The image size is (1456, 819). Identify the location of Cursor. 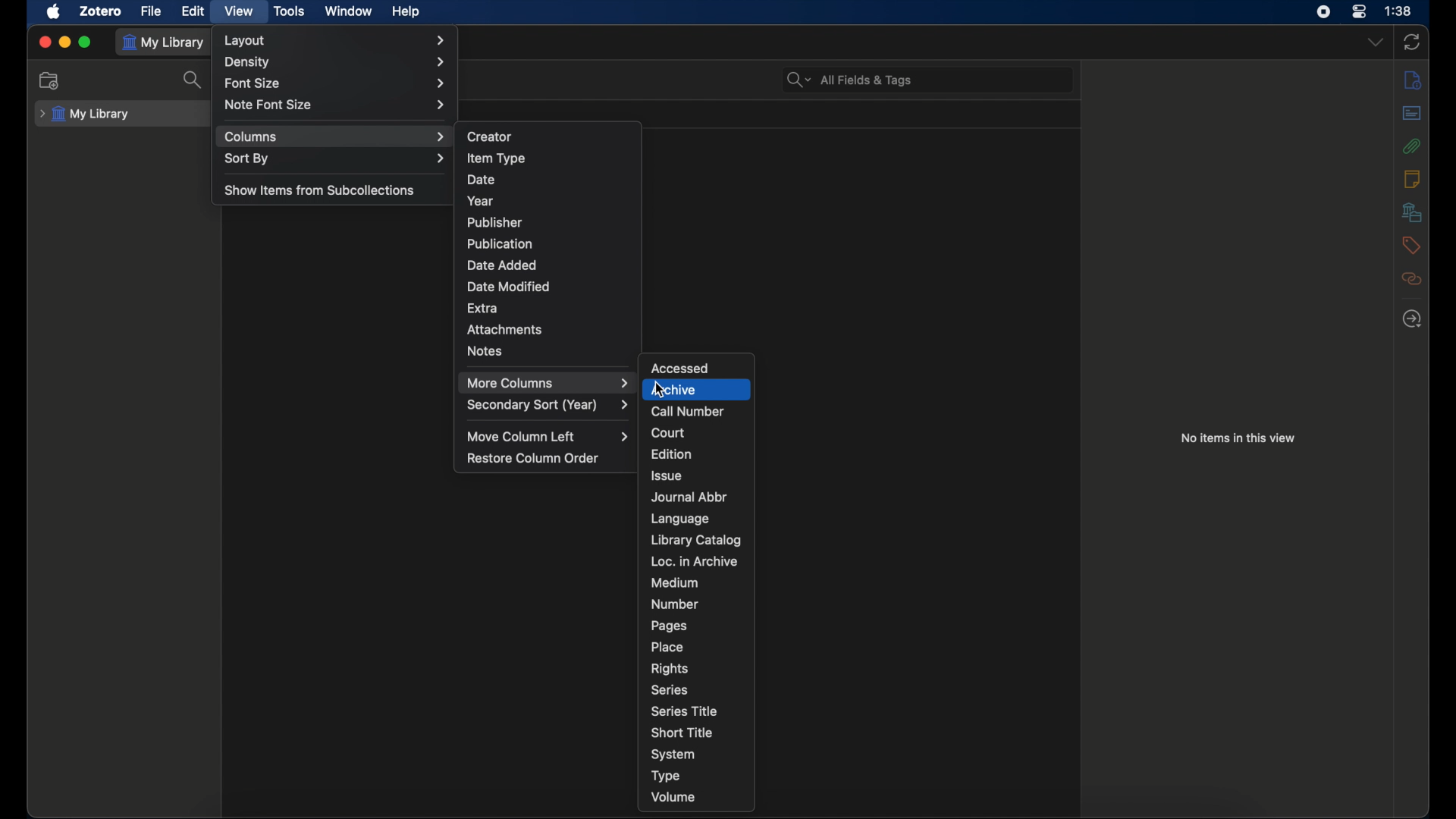
(657, 392).